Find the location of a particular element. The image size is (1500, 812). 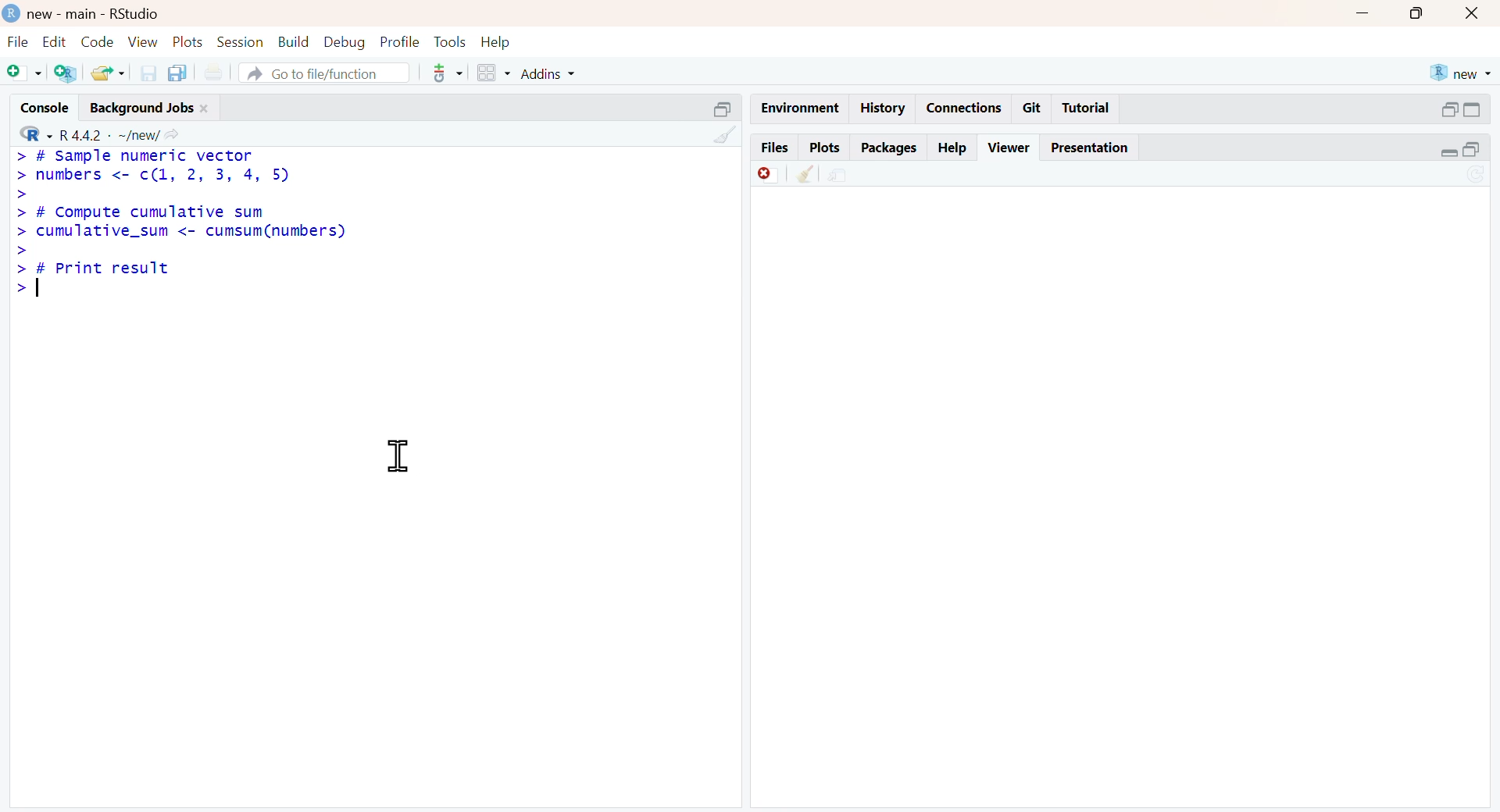

grid is located at coordinates (494, 72).